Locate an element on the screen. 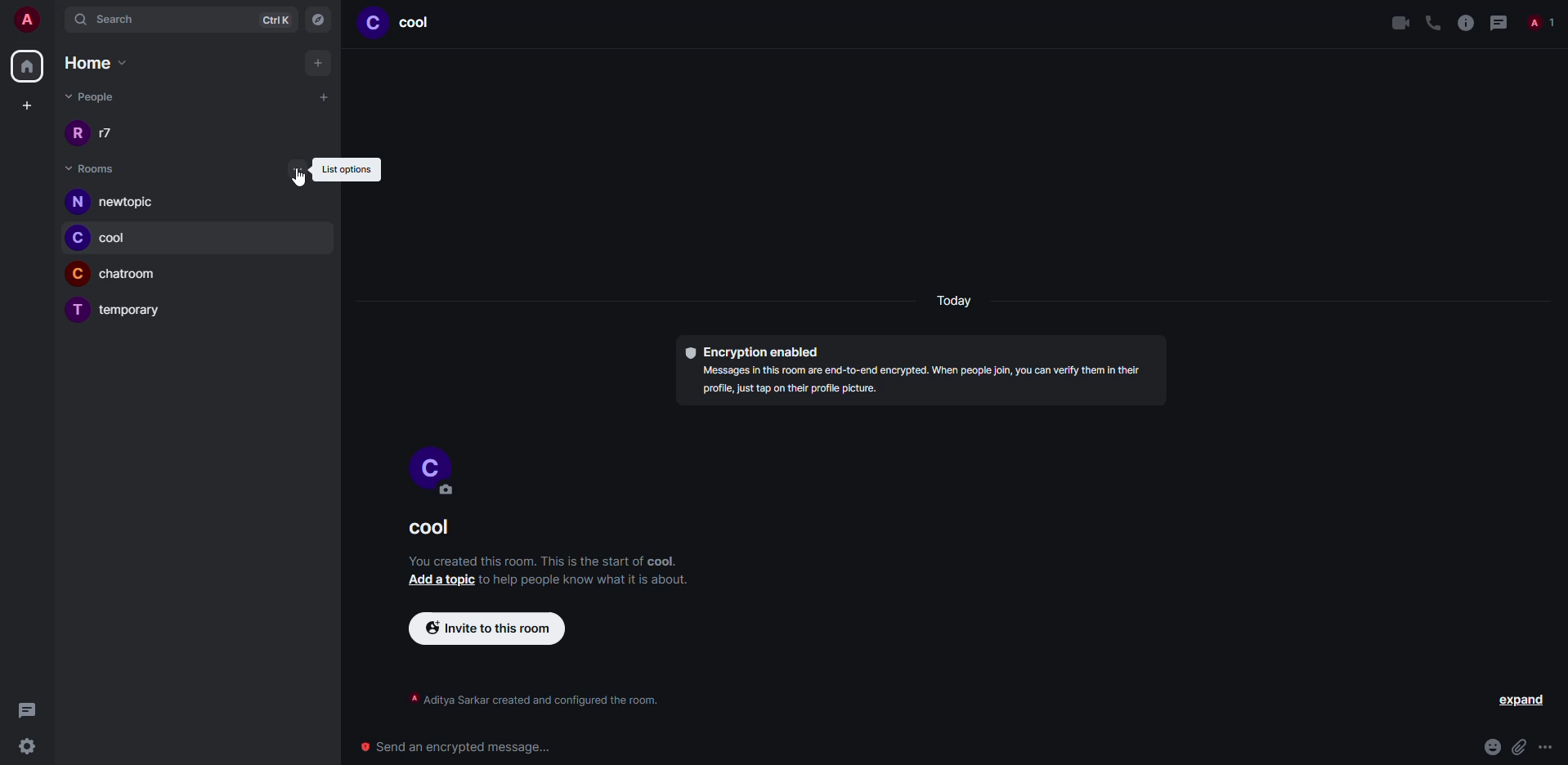  video call is located at coordinates (1396, 23).